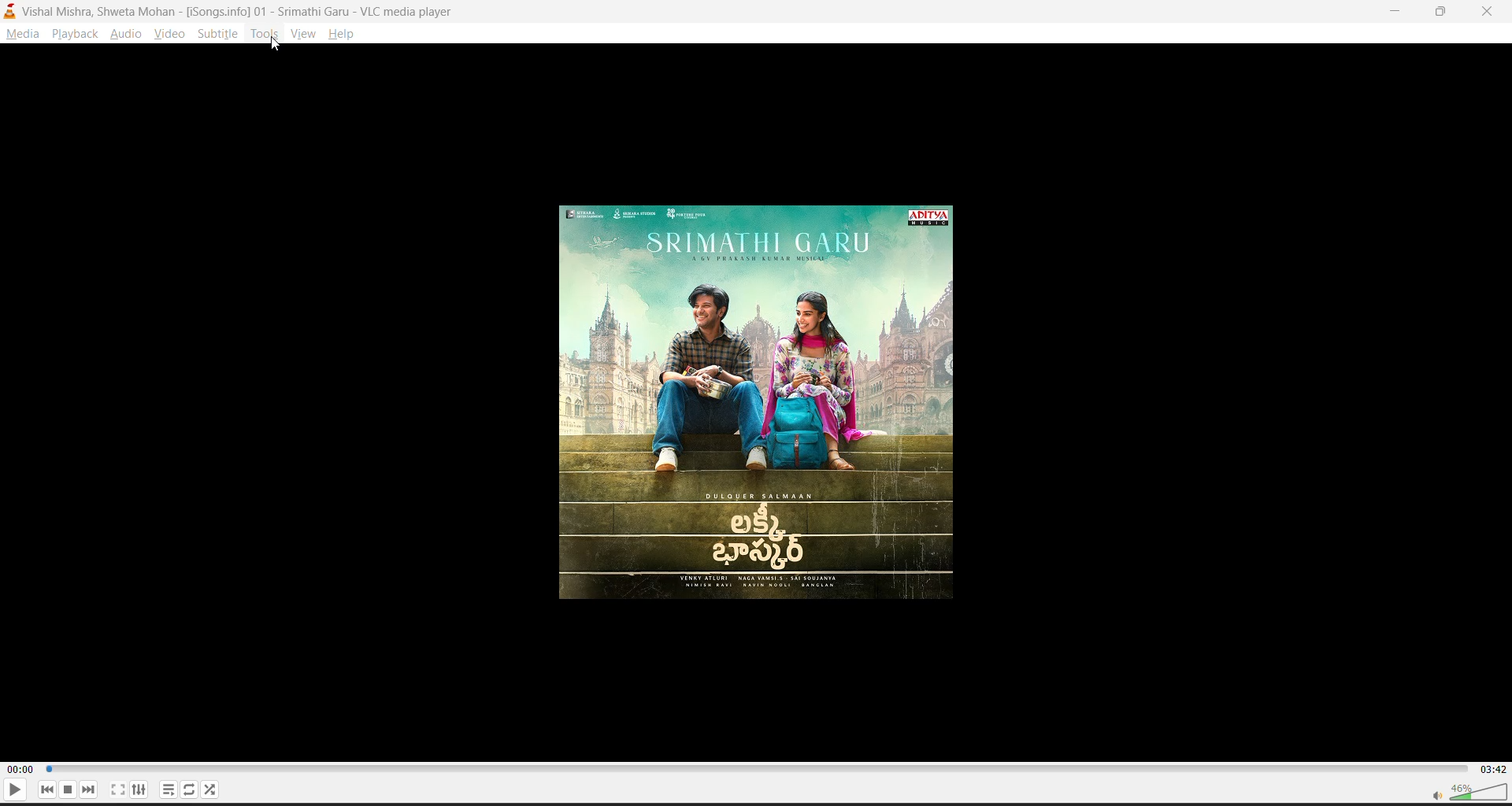 The height and width of the screenshot is (806, 1512). Describe the element at coordinates (261, 35) in the screenshot. I see `tools` at that location.